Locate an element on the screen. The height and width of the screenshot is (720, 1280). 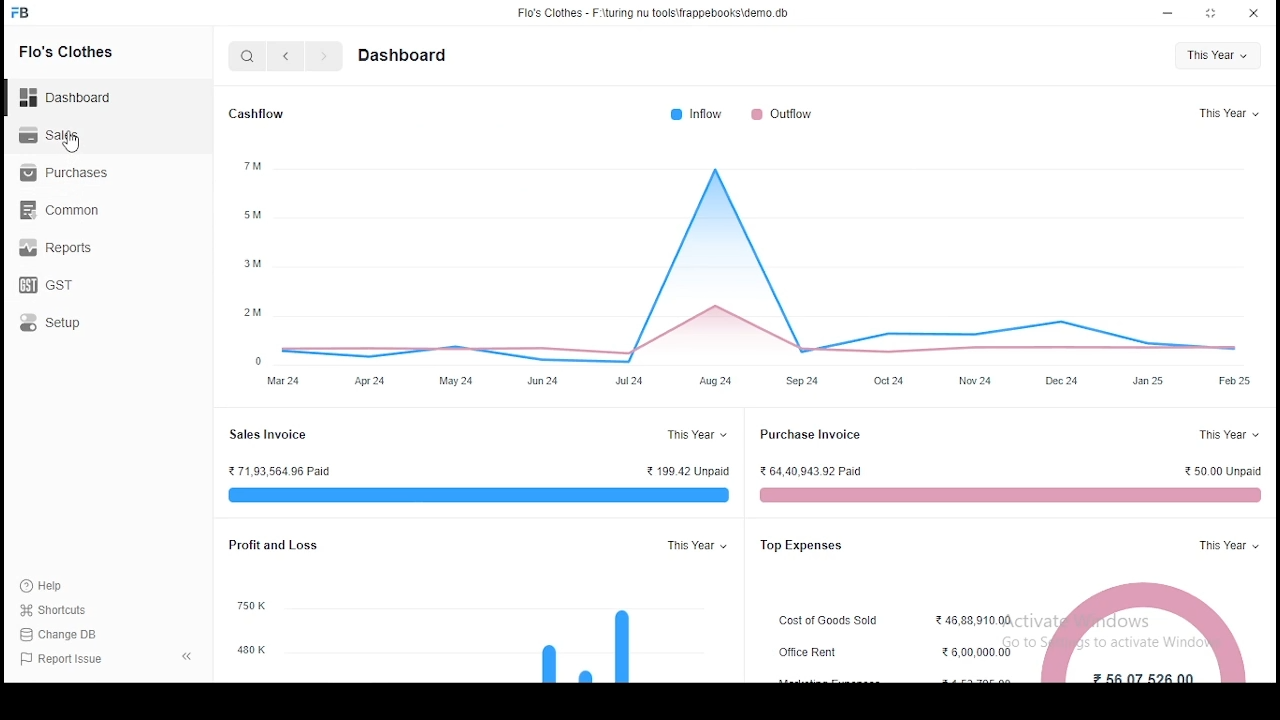
64,40,943.92 is located at coordinates (813, 471).